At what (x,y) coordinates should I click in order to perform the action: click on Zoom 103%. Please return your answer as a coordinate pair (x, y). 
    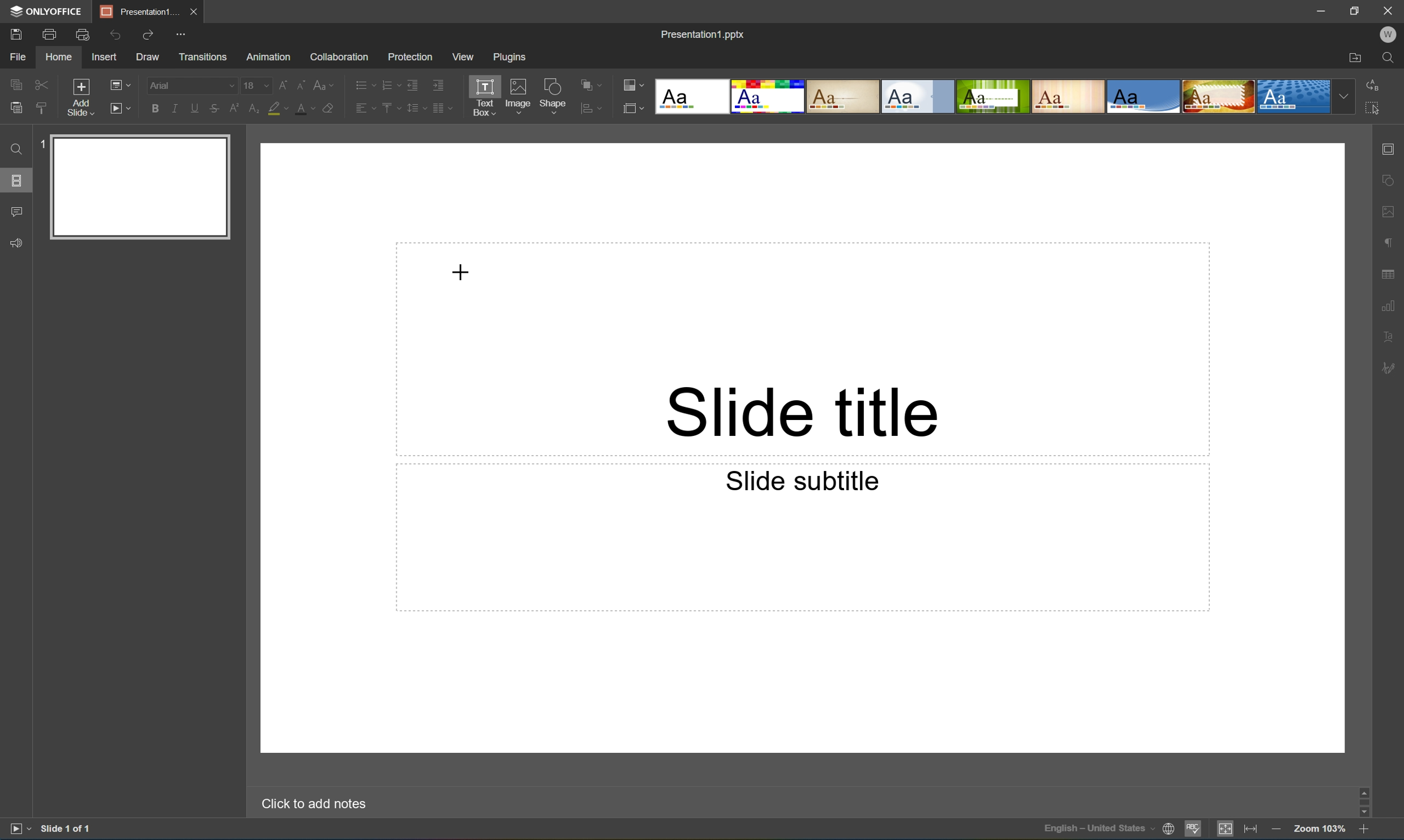
    Looking at the image, I should click on (1321, 830).